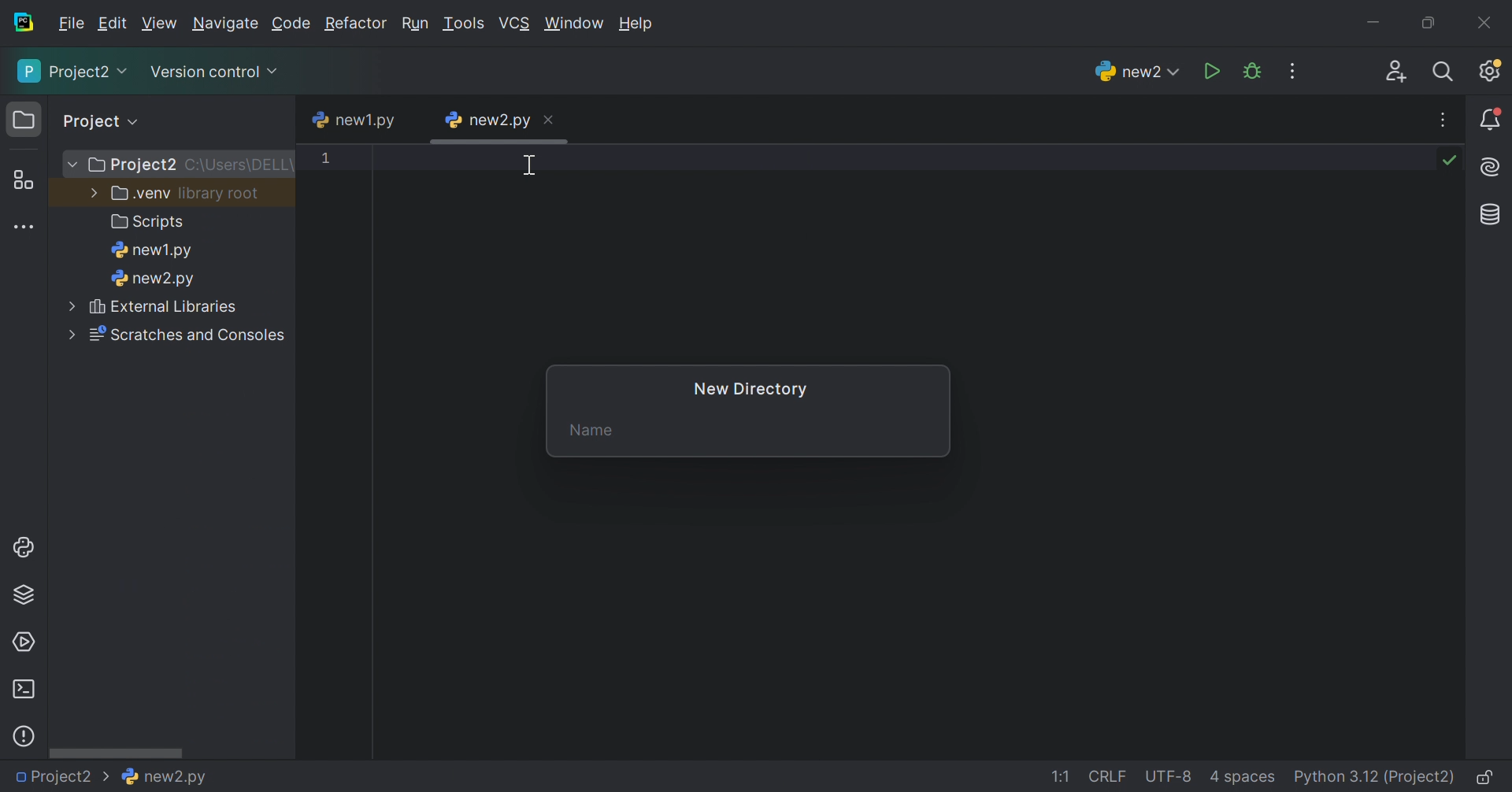 Image resolution: width=1512 pixels, height=792 pixels. Describe the element at coordinates (191, 336) in the screenshot. I see `Scratches and consoles` at that location.